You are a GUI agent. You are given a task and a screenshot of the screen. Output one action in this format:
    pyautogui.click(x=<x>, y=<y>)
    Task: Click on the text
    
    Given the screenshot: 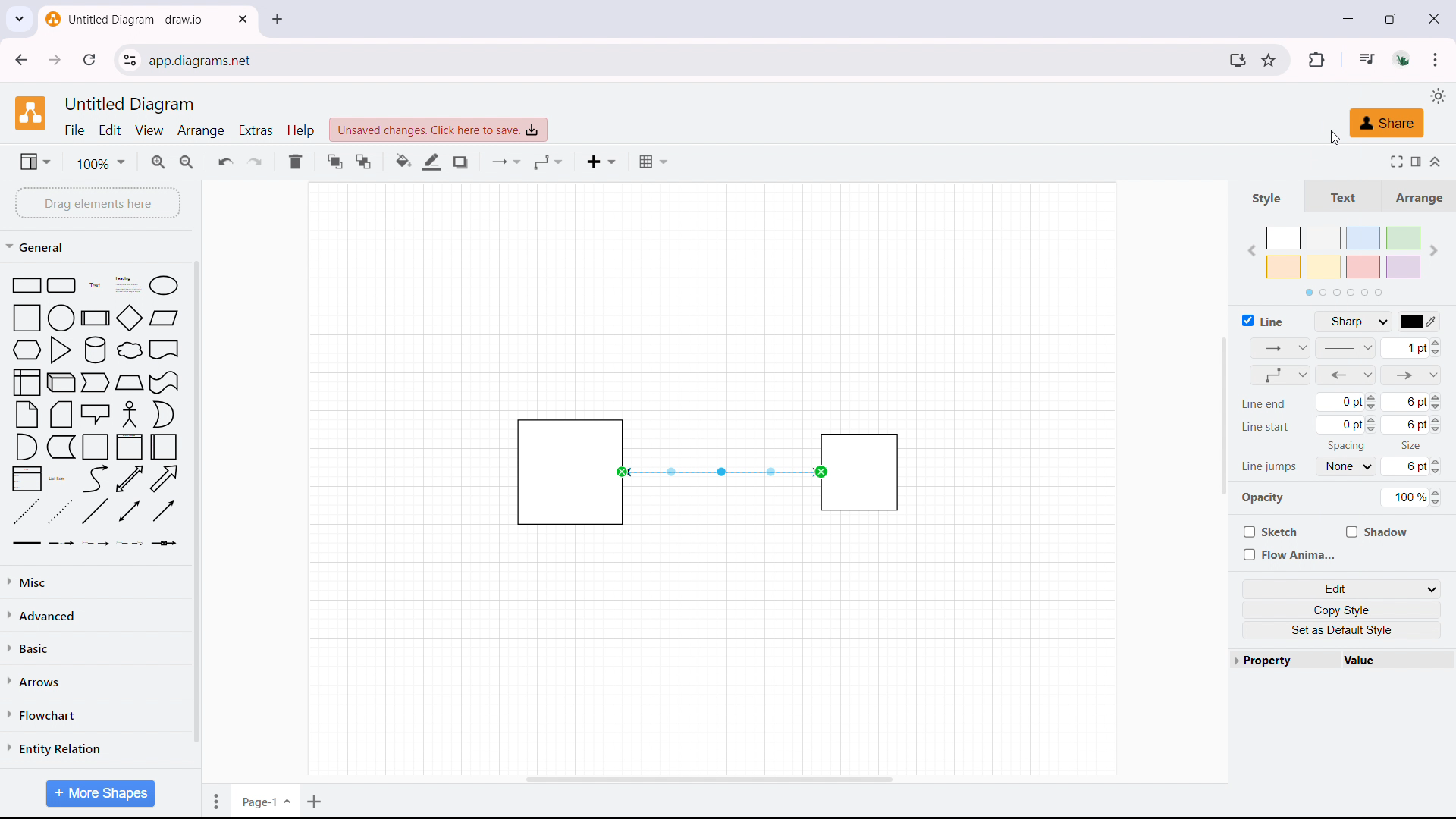 What is the action you would take?
    pyautogui.click(x=1339, y=196)
    